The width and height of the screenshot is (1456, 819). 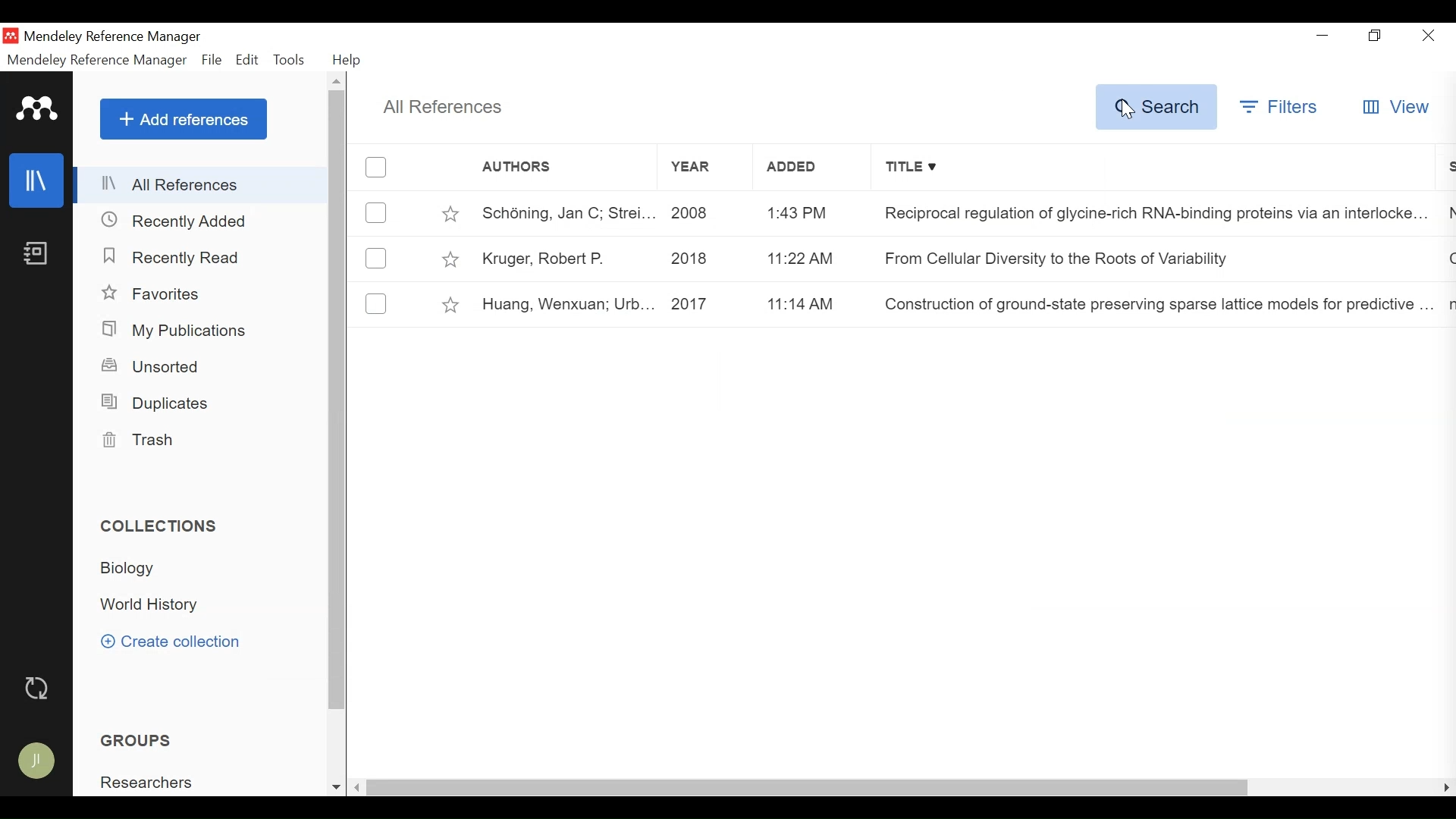 What do you see at coordinates (335, 787) in the screenshot?
I see `Scroll down` at bounding box center [335, 787].